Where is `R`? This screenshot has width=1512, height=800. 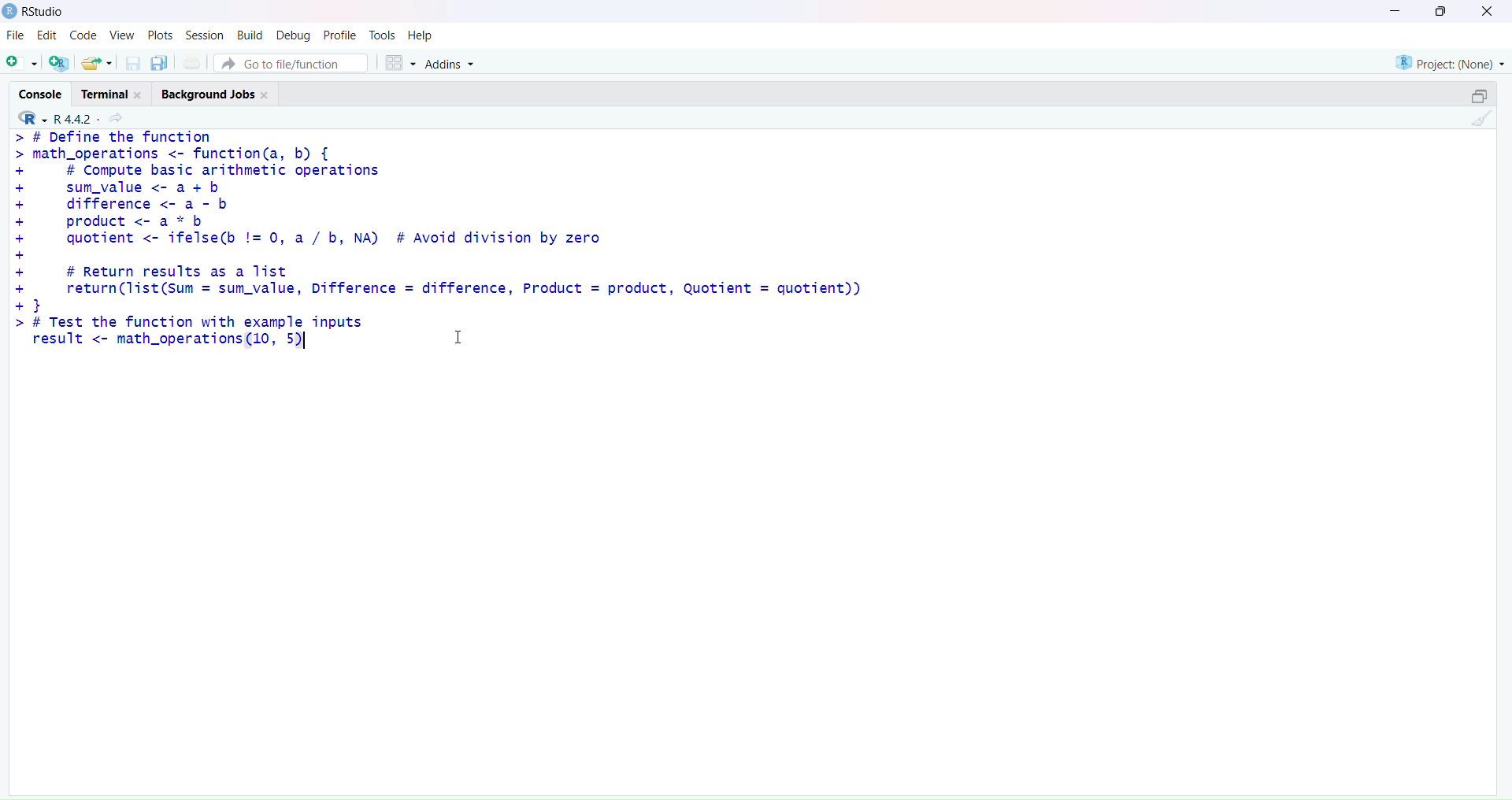
R is located at coordinates (28, 119).